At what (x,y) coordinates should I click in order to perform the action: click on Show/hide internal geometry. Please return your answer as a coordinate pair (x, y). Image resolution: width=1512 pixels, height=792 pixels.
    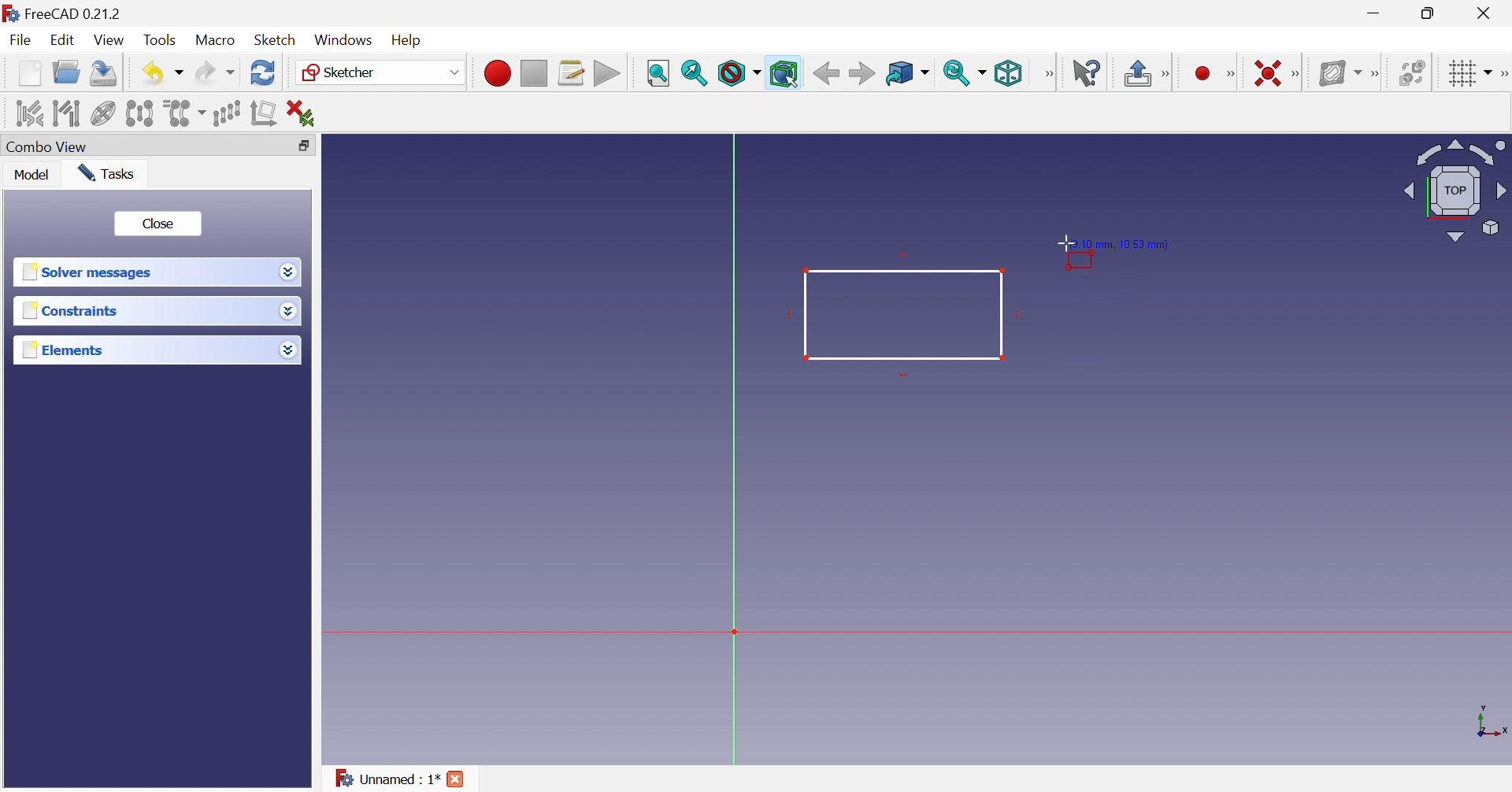
    Looking at the image, I should click on (103, 113).